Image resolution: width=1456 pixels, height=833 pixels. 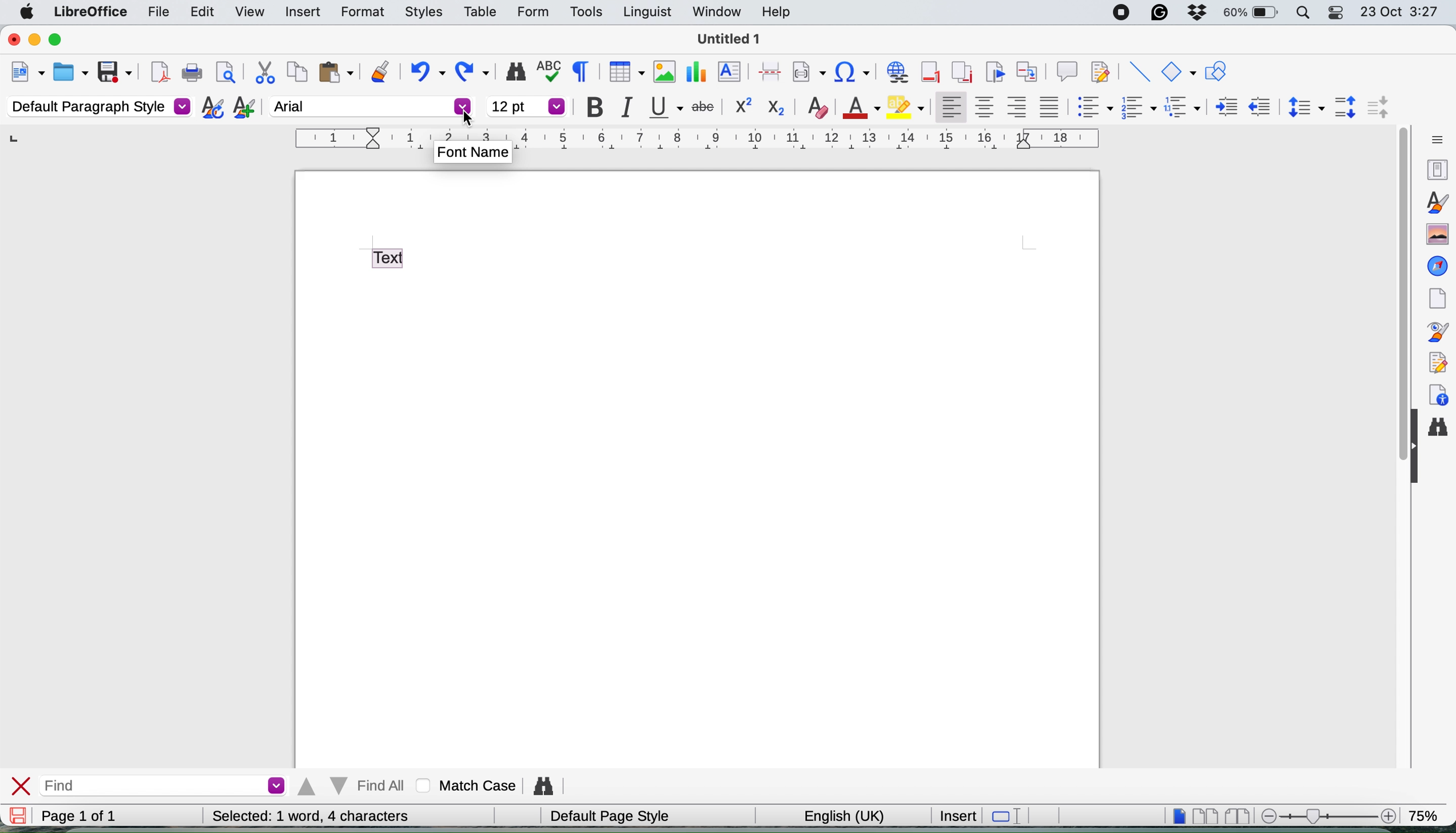 I want to click on date and time, so click(x=1401, y=13).